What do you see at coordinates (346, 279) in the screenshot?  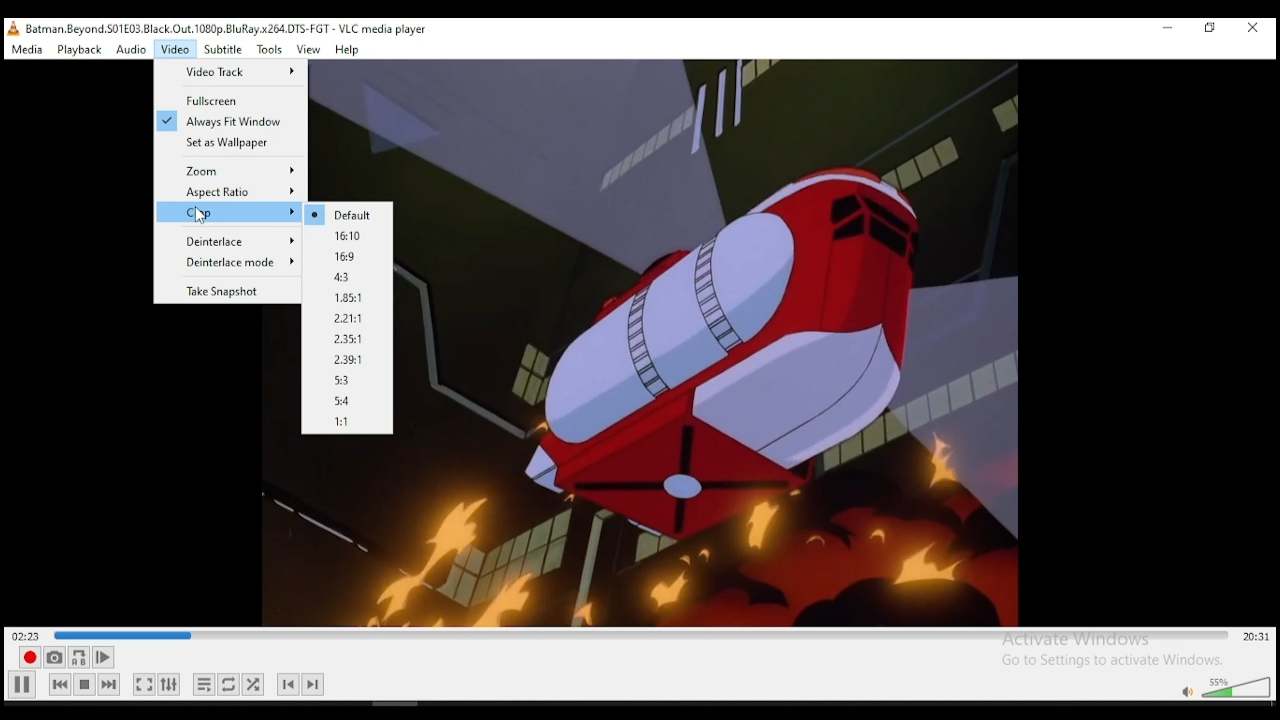 I see `4.3` at bounding box center [346, 279].